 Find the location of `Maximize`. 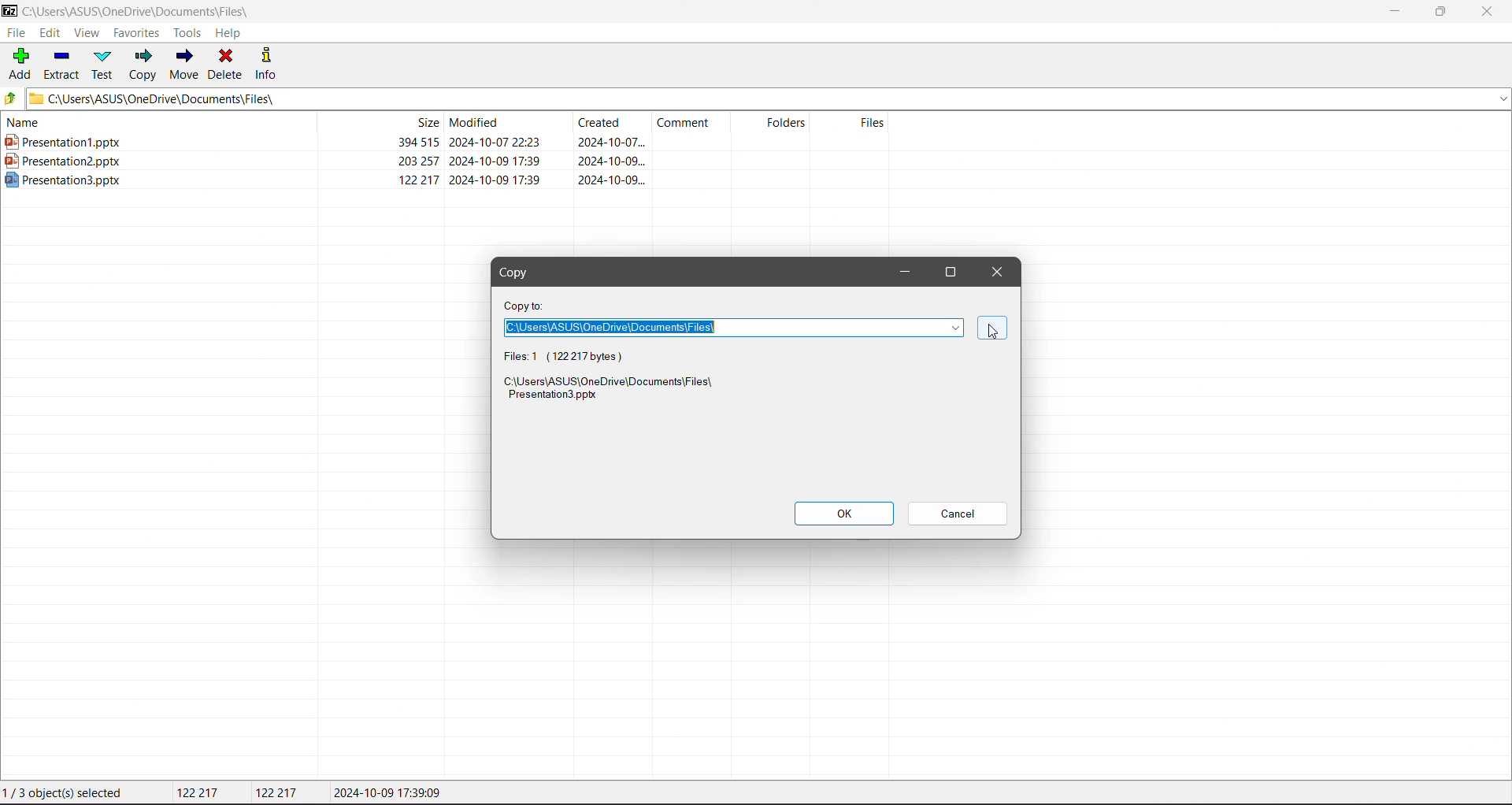

Maximize is located at coordinates (948, 273).